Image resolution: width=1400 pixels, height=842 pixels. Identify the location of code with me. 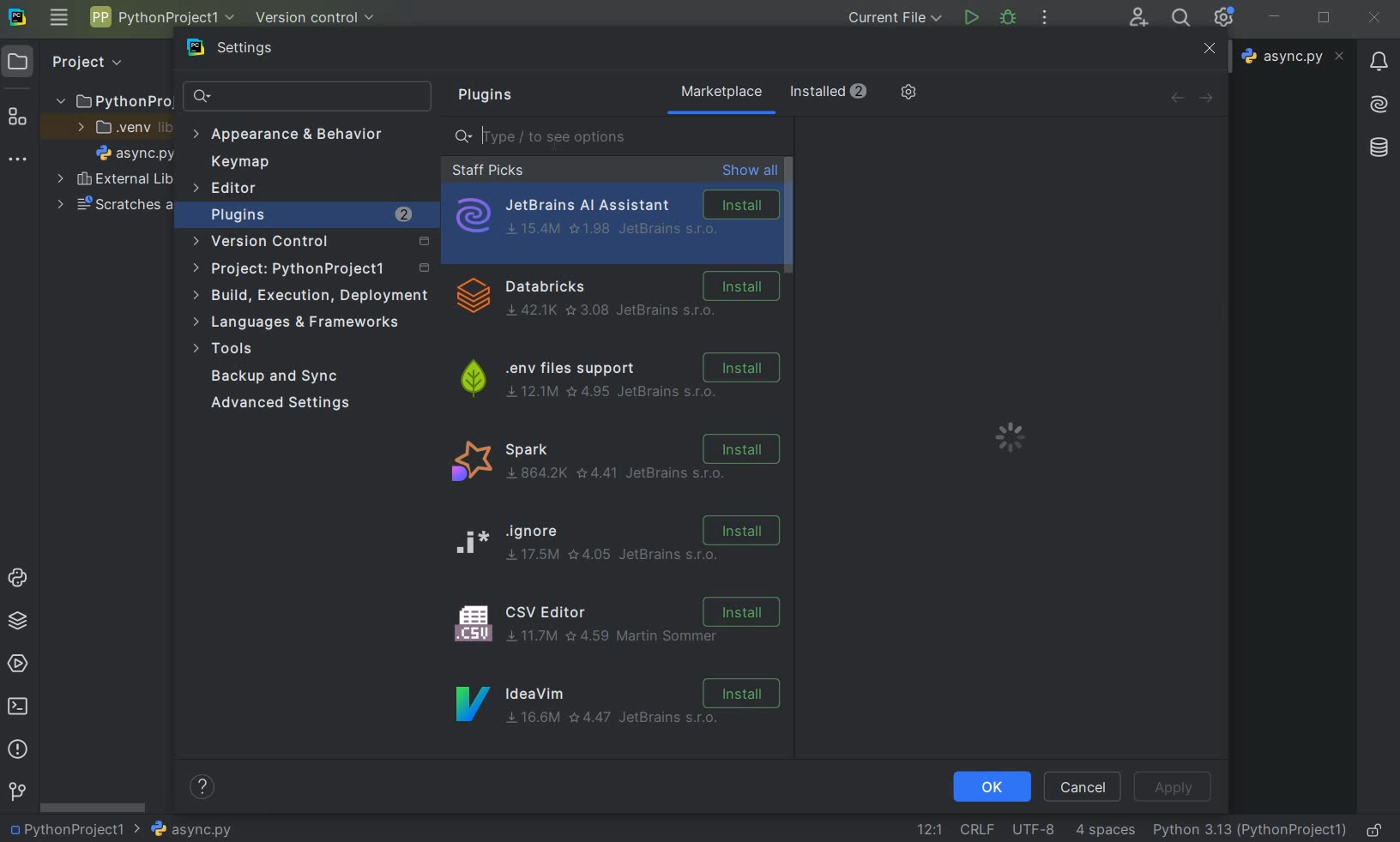
(1139, 19).